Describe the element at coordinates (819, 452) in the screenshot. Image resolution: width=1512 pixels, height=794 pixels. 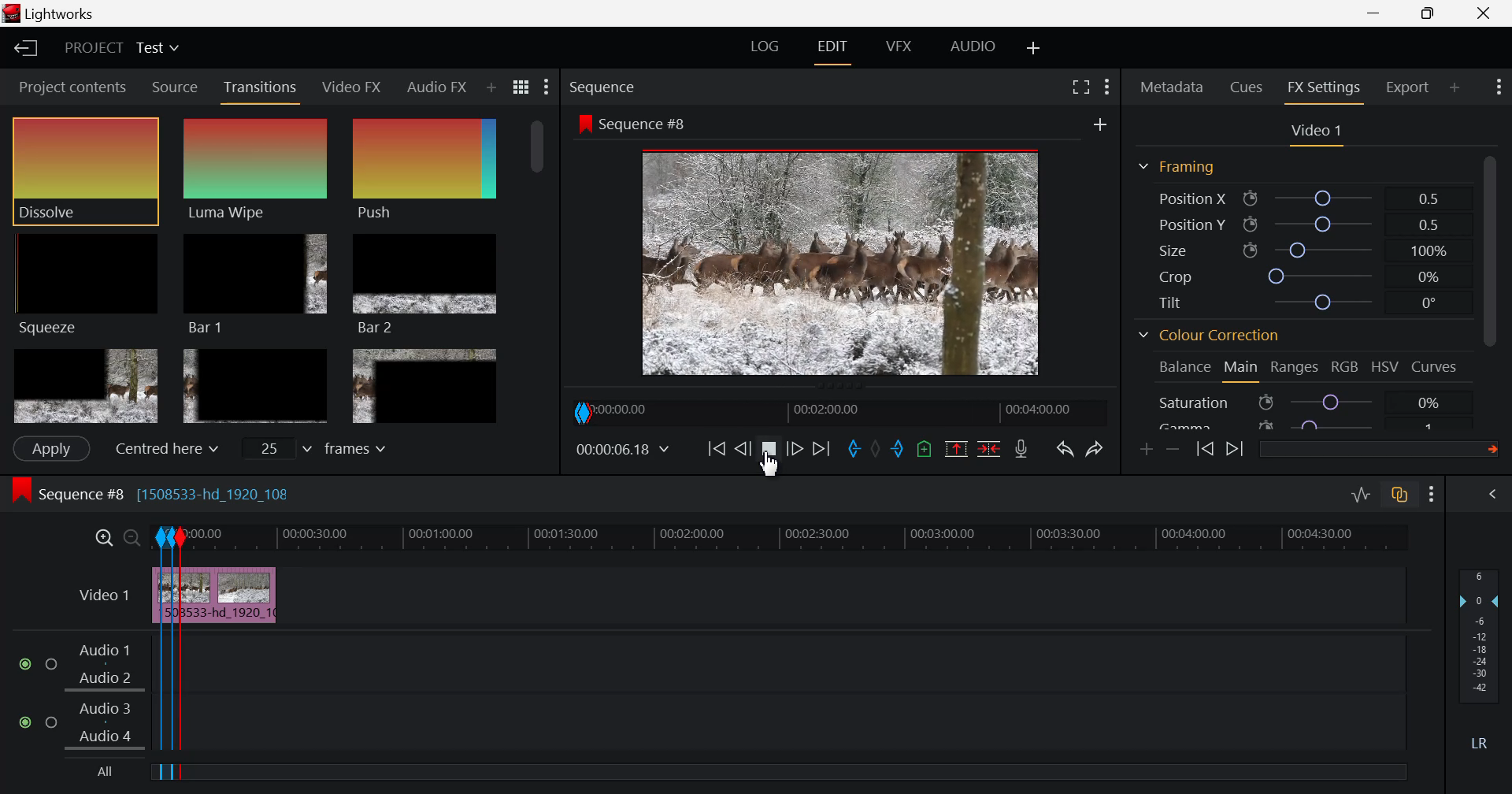
I see `To End` at that location.